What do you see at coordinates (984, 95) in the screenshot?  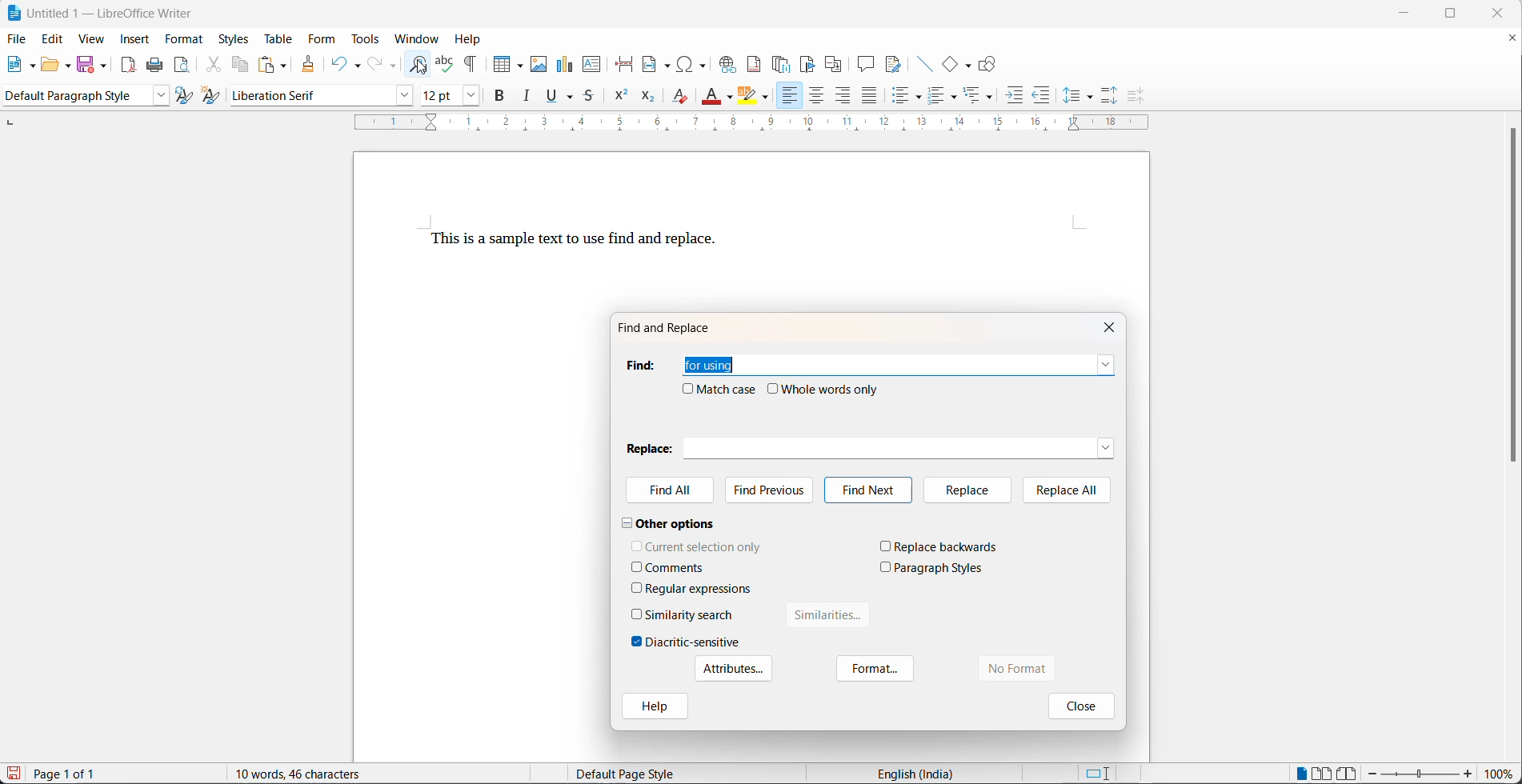 I see `select outline formatting` at bounding box center [984, 95].